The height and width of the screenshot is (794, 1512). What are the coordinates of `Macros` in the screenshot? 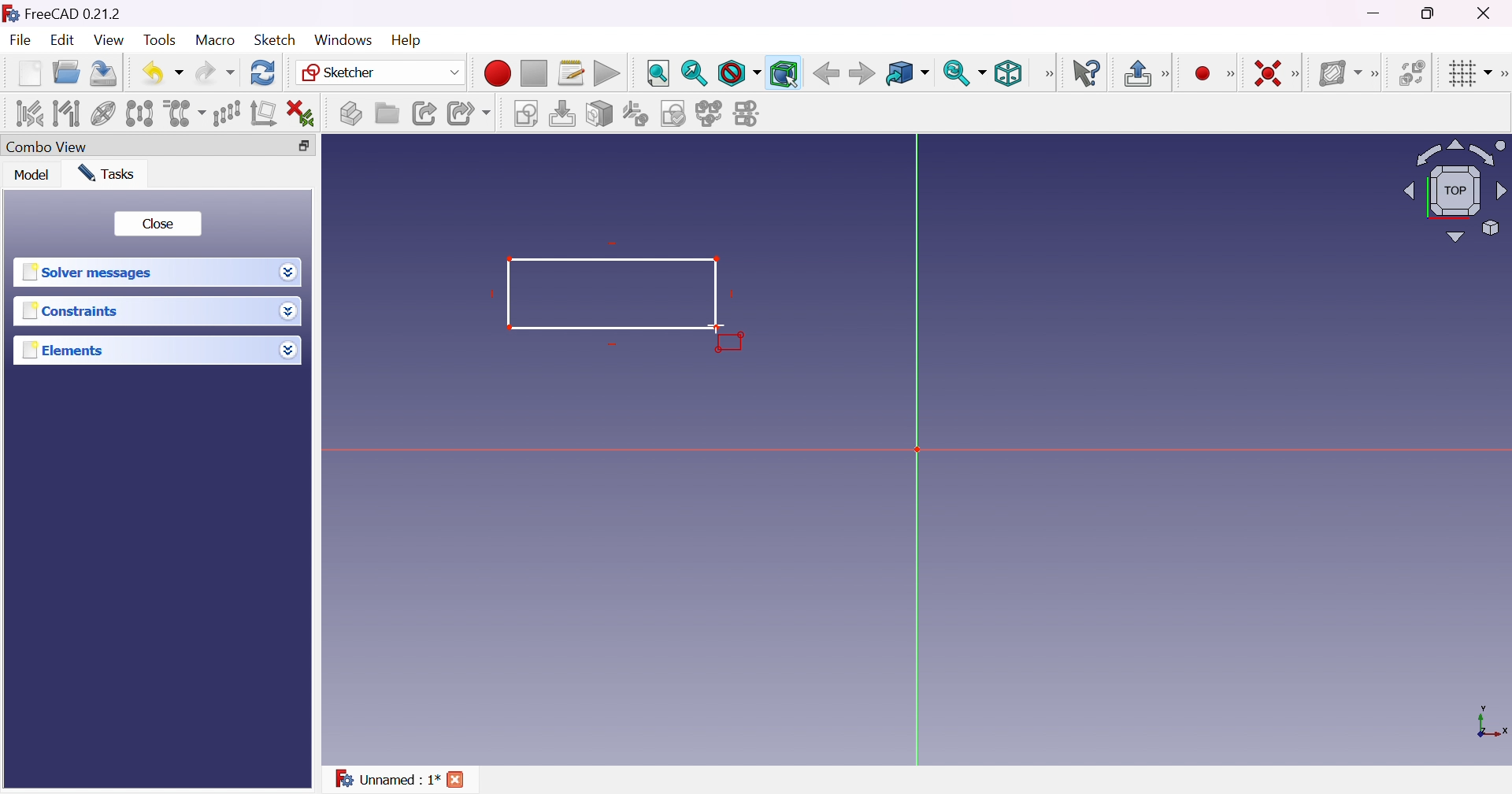 It's located at (572, 72).